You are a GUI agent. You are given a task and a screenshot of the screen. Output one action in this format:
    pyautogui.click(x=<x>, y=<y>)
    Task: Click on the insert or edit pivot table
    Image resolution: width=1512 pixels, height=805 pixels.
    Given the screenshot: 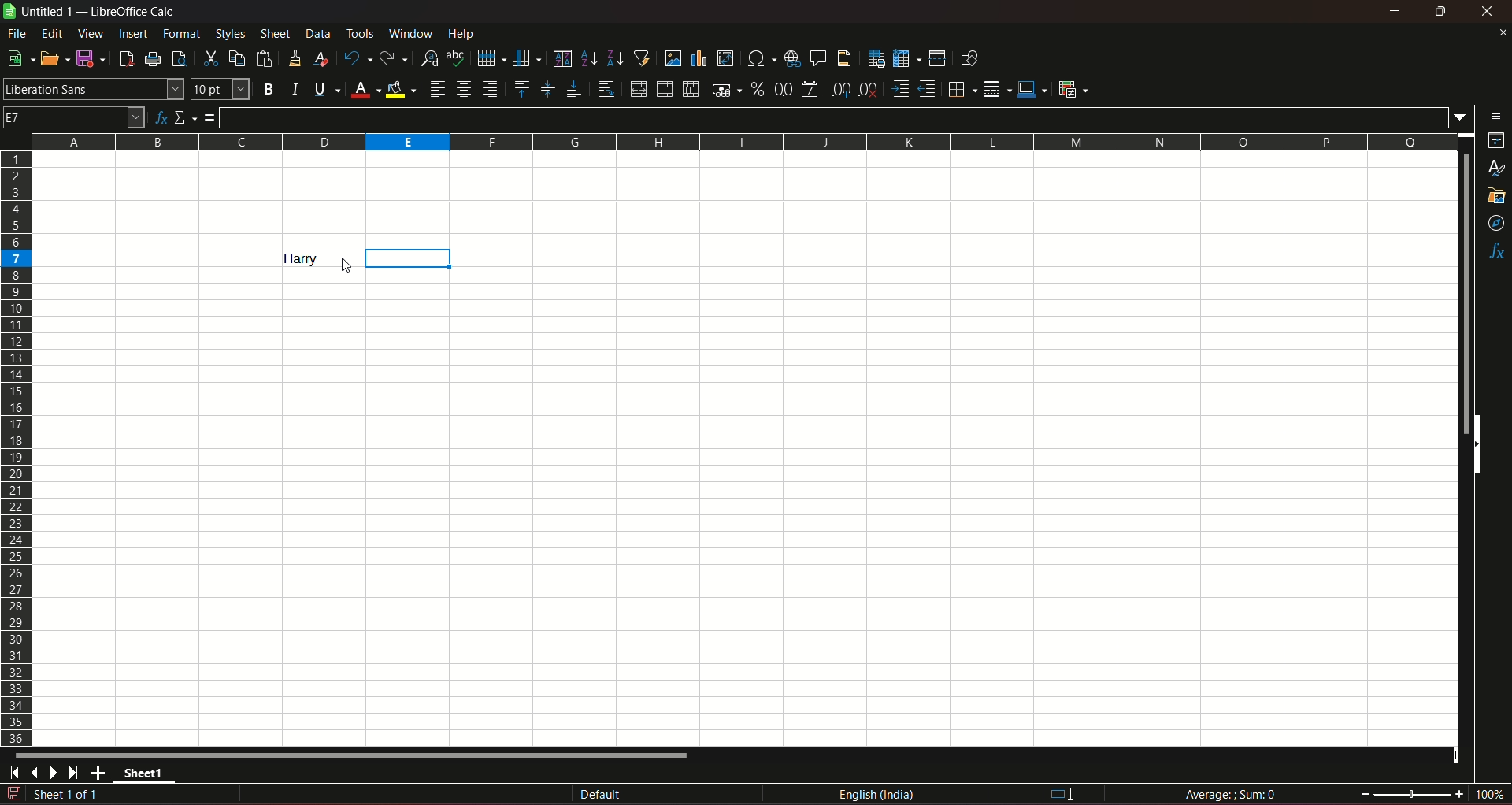 What is the action you would take?
    pyautogui.click(x=726, y=57)
    